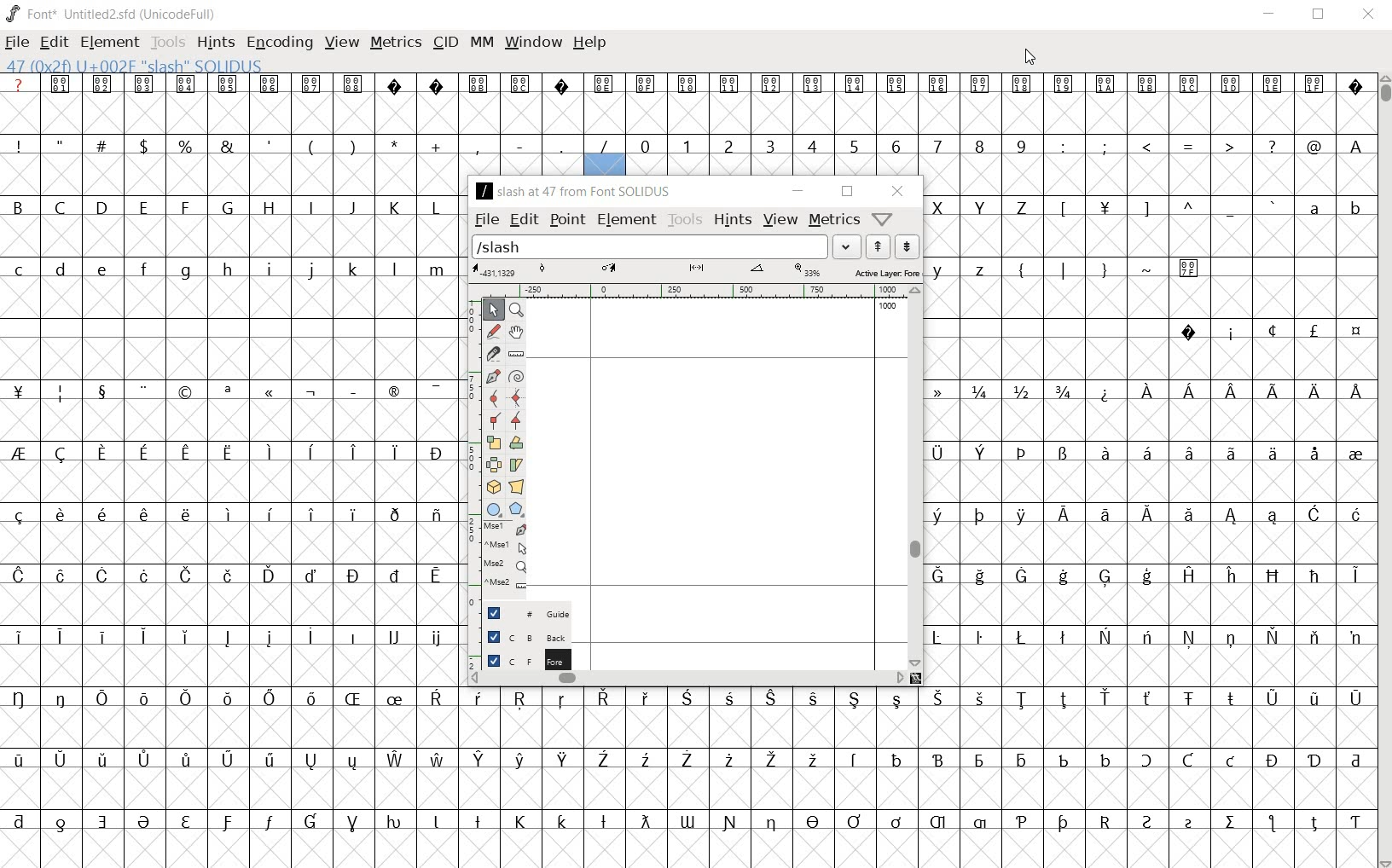  What do you see at coordinates (686, 219) in the screenshot?
I see `tools` at bounding box center [686, 219].